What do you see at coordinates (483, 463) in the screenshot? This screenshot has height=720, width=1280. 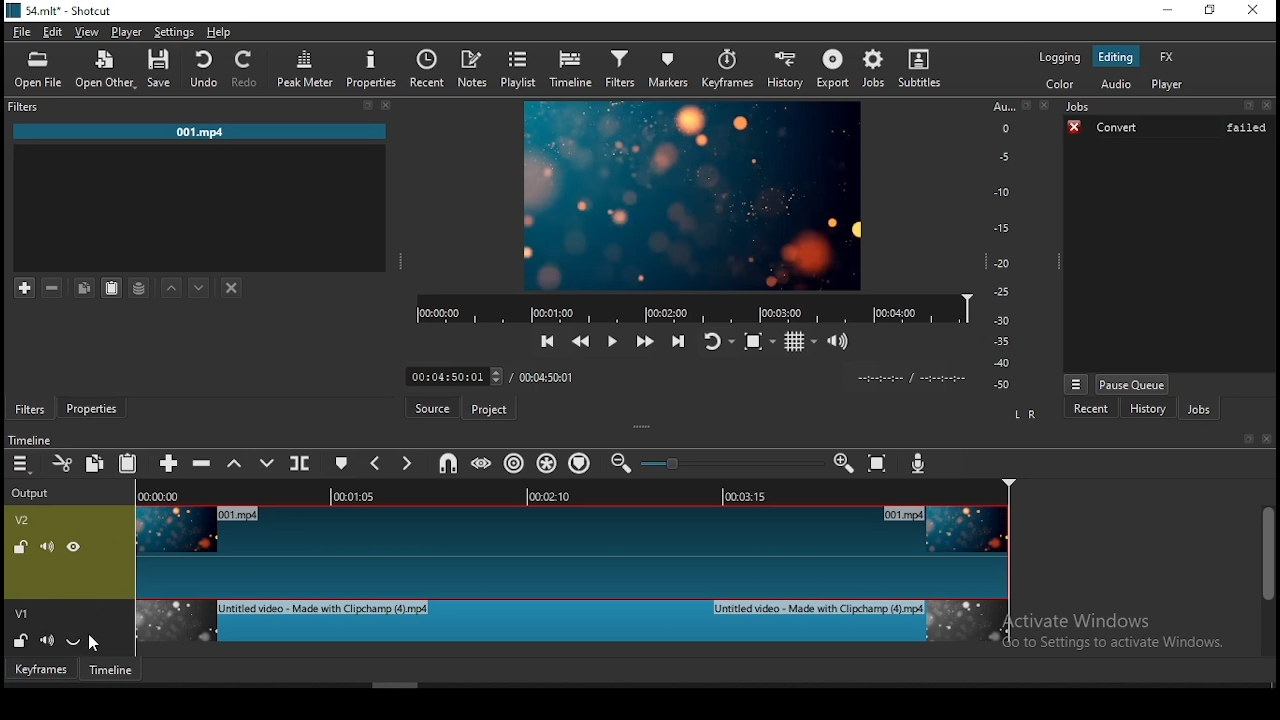 I see `scrub while dragging` at bounding box center [483, 463].